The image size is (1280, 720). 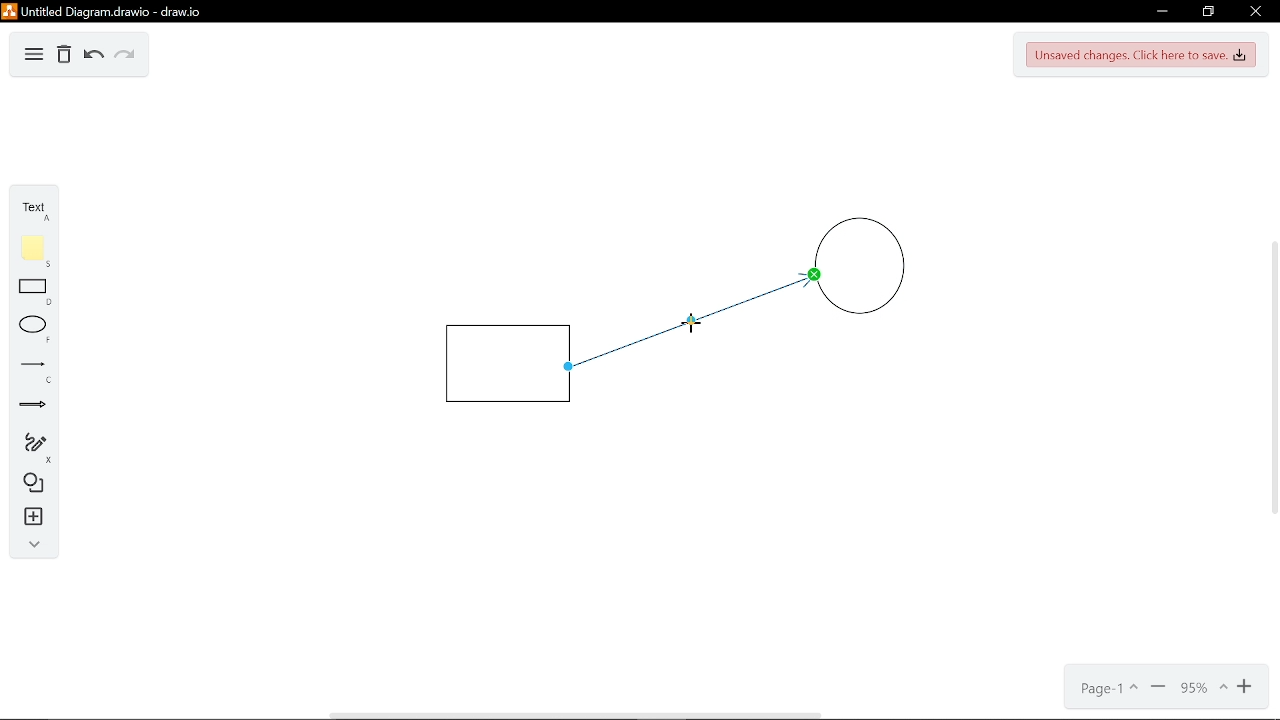 I want to click on Restore down, so click(x=1210, y=12).